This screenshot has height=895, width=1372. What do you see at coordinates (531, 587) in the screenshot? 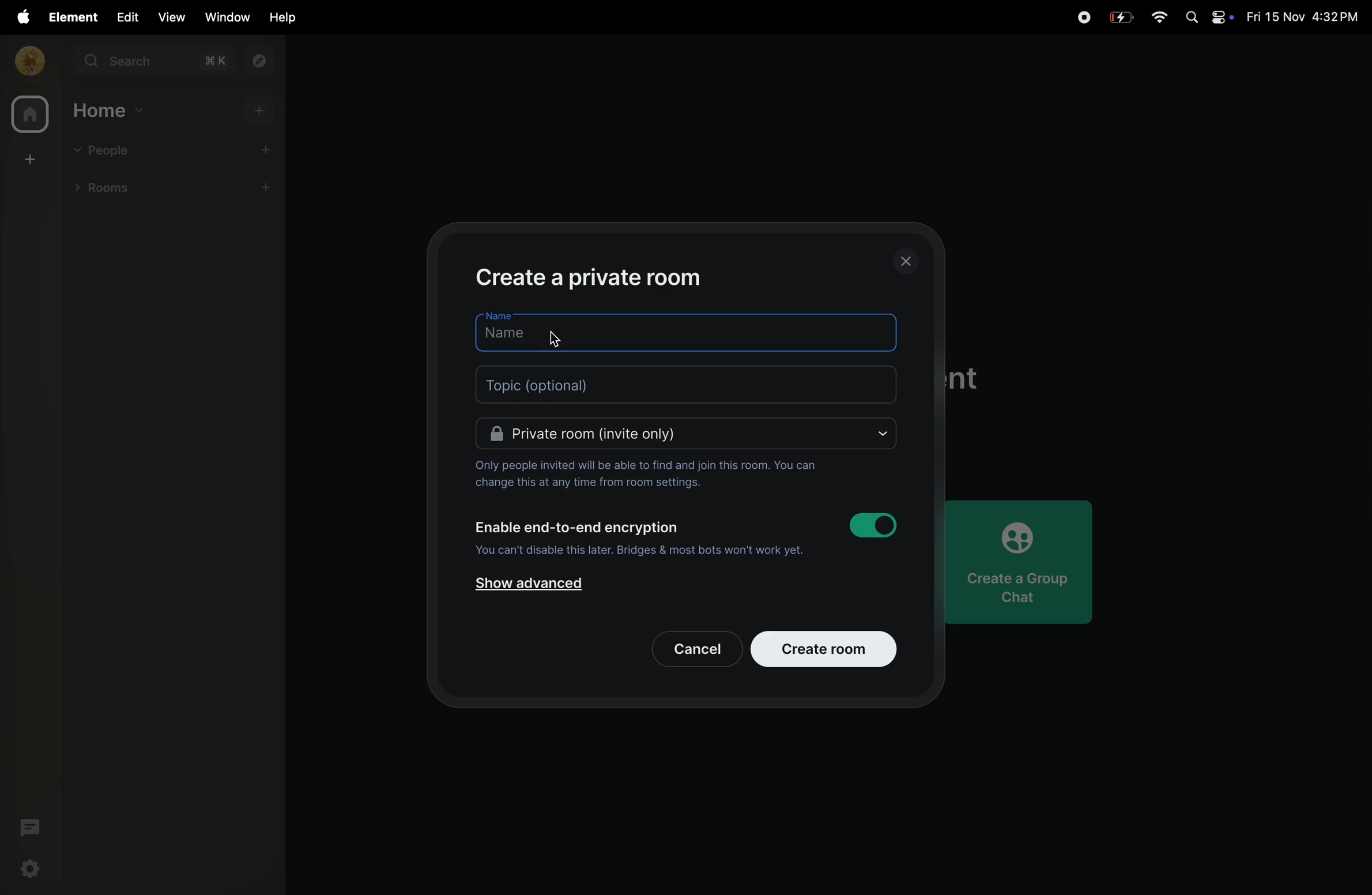
I see `show advanced` at bounding box center [531, 587].